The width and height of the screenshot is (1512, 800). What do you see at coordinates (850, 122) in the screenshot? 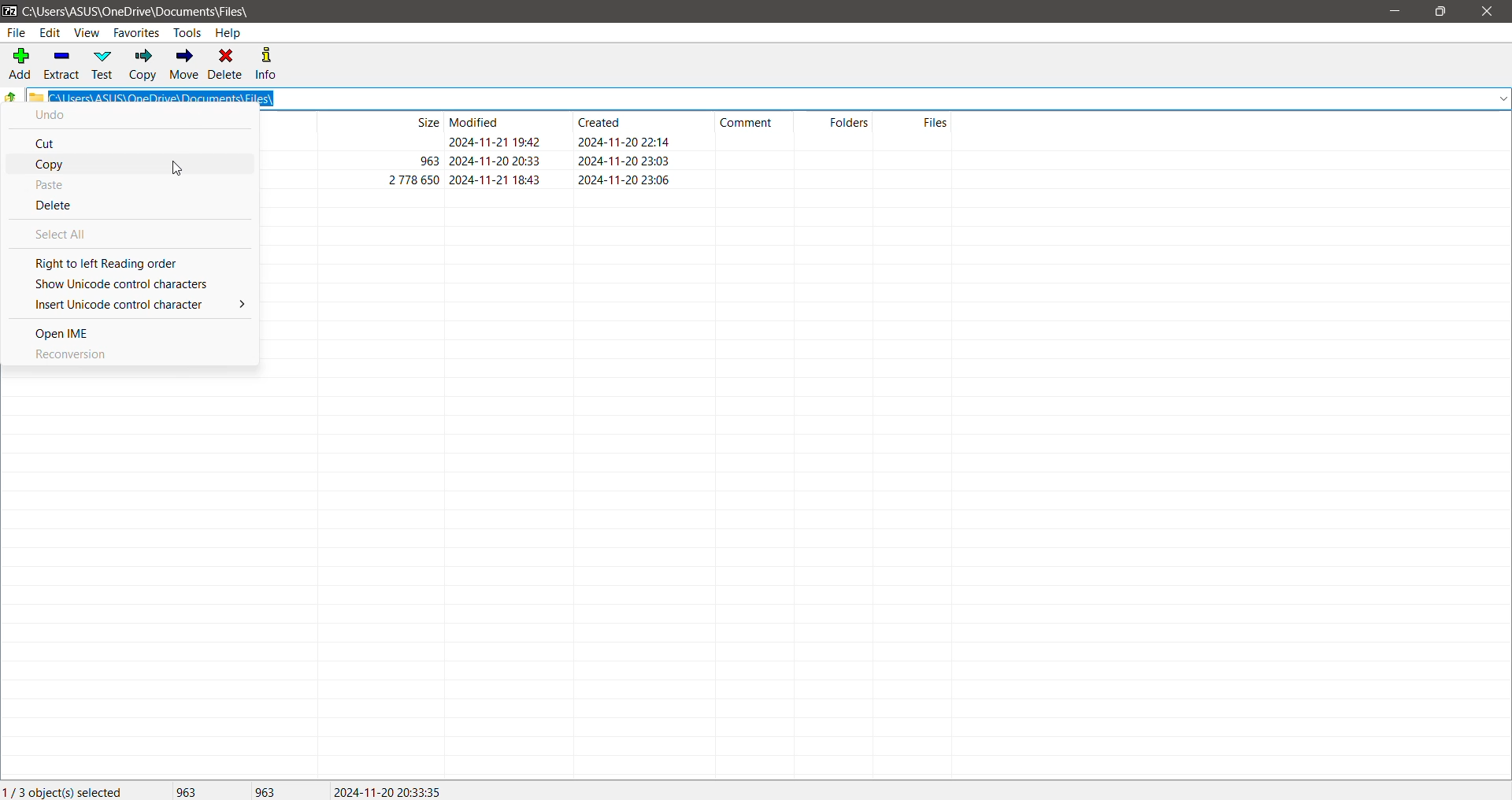
I see `folders` at bounding box center [850, 122].